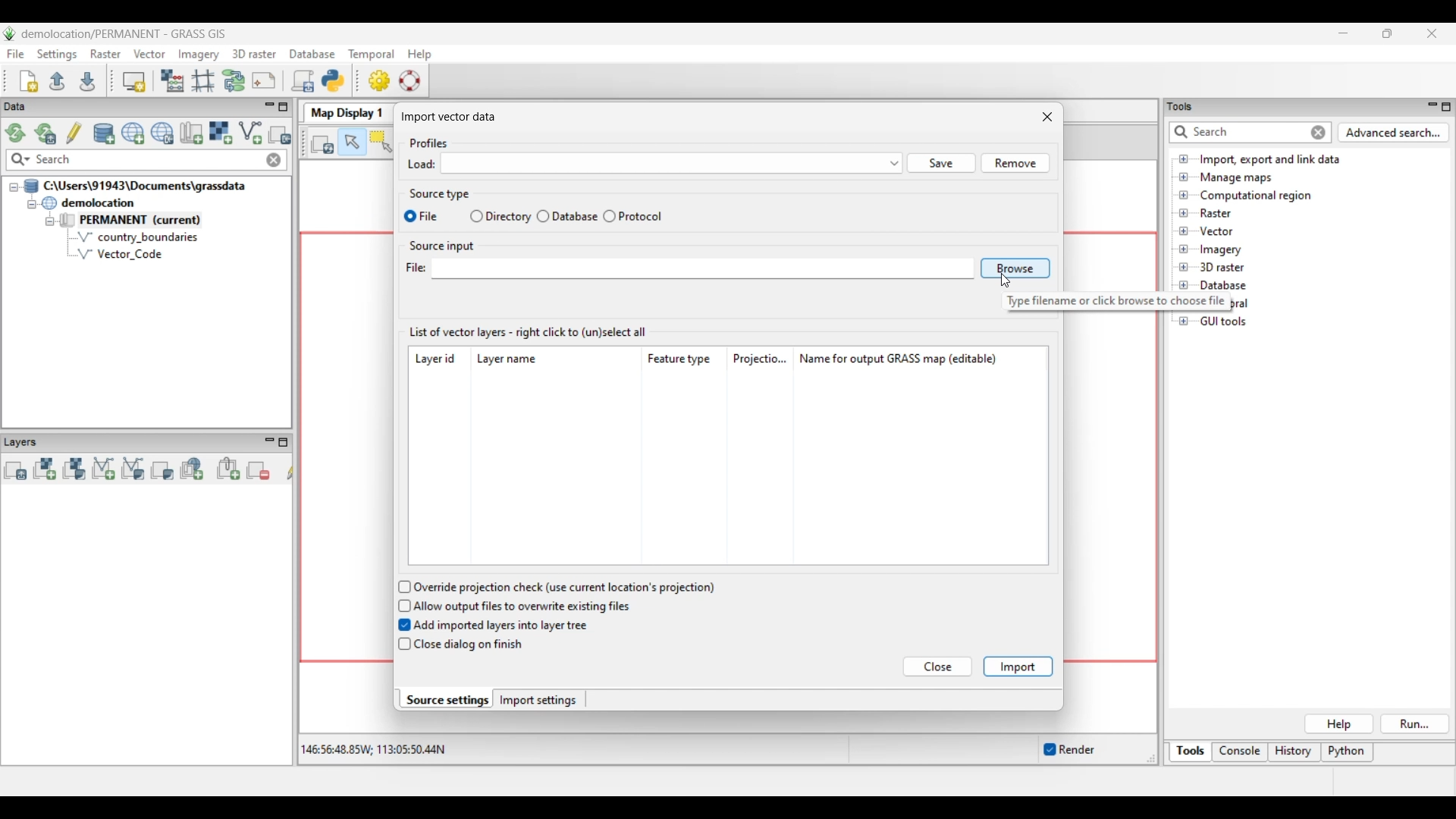 This screenshot has height=819, width=1456. Describe the element at coordinates (1220, 250) in the screenshot. I see `Double click to see files under Imagery` at that location.